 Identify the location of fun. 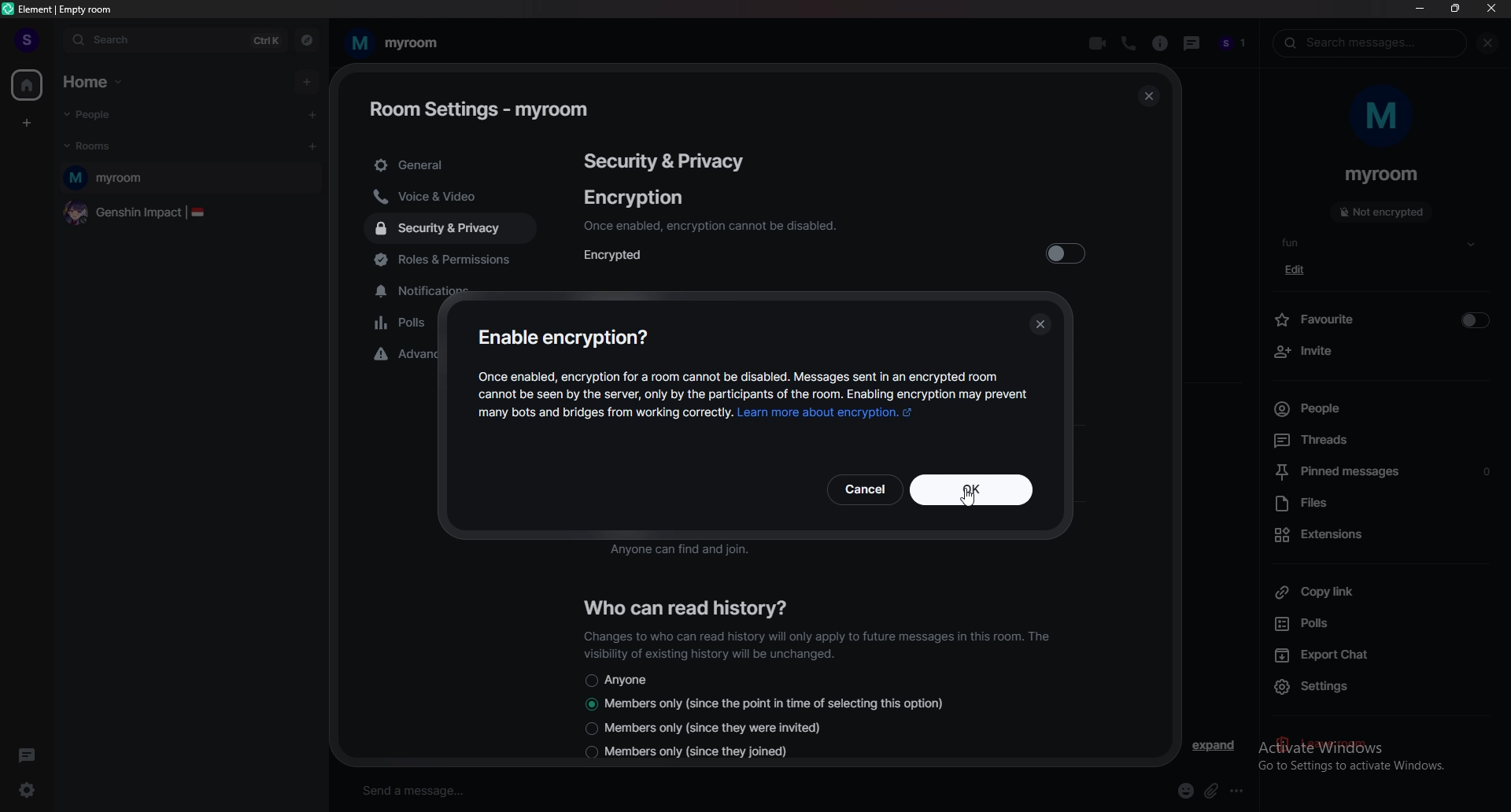
(1381, 244).